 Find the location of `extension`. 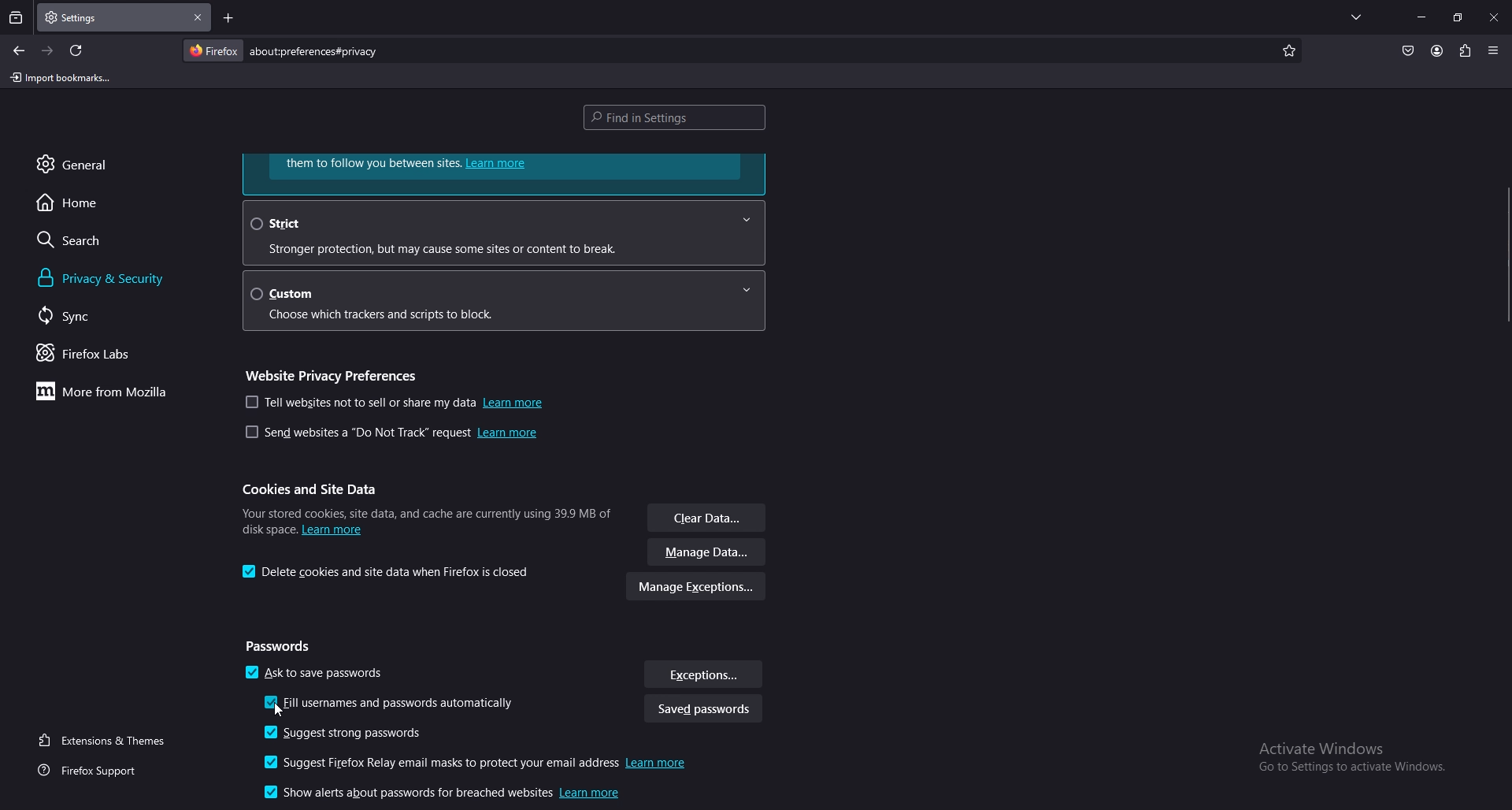

extension is located at coordinates (1464, 50).